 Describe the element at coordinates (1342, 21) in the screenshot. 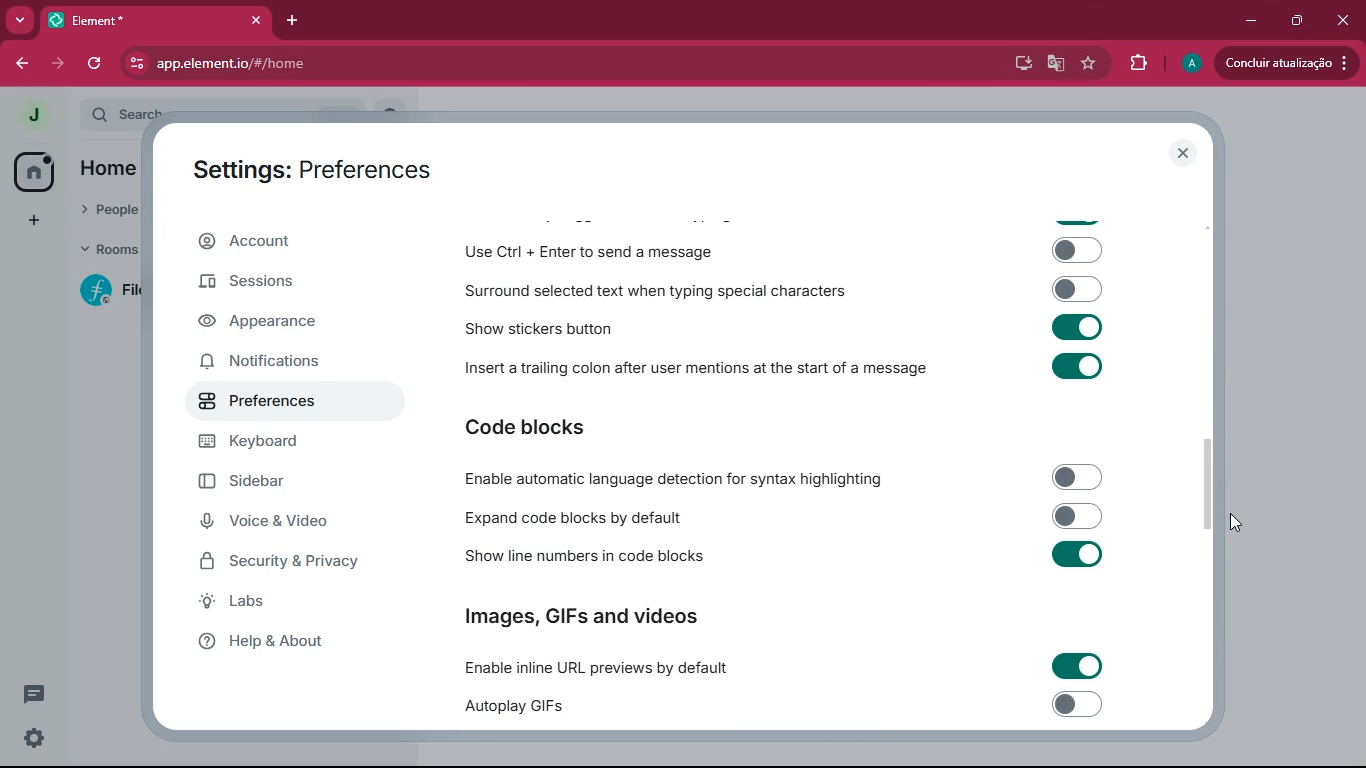

I see `close` at that location.